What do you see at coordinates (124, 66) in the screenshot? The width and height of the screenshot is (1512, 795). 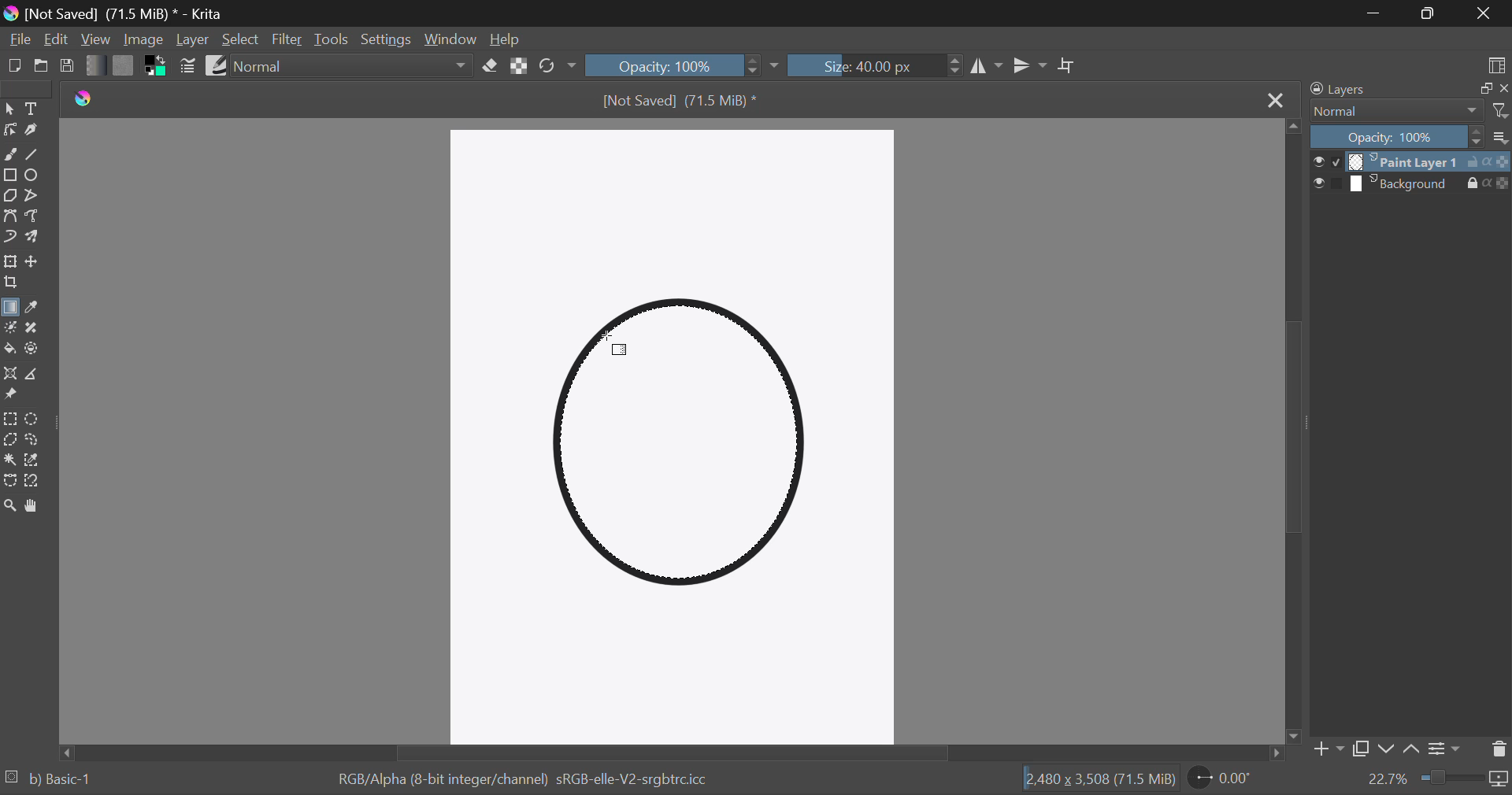 I see `Pattern` at bounding box center [124, 66].